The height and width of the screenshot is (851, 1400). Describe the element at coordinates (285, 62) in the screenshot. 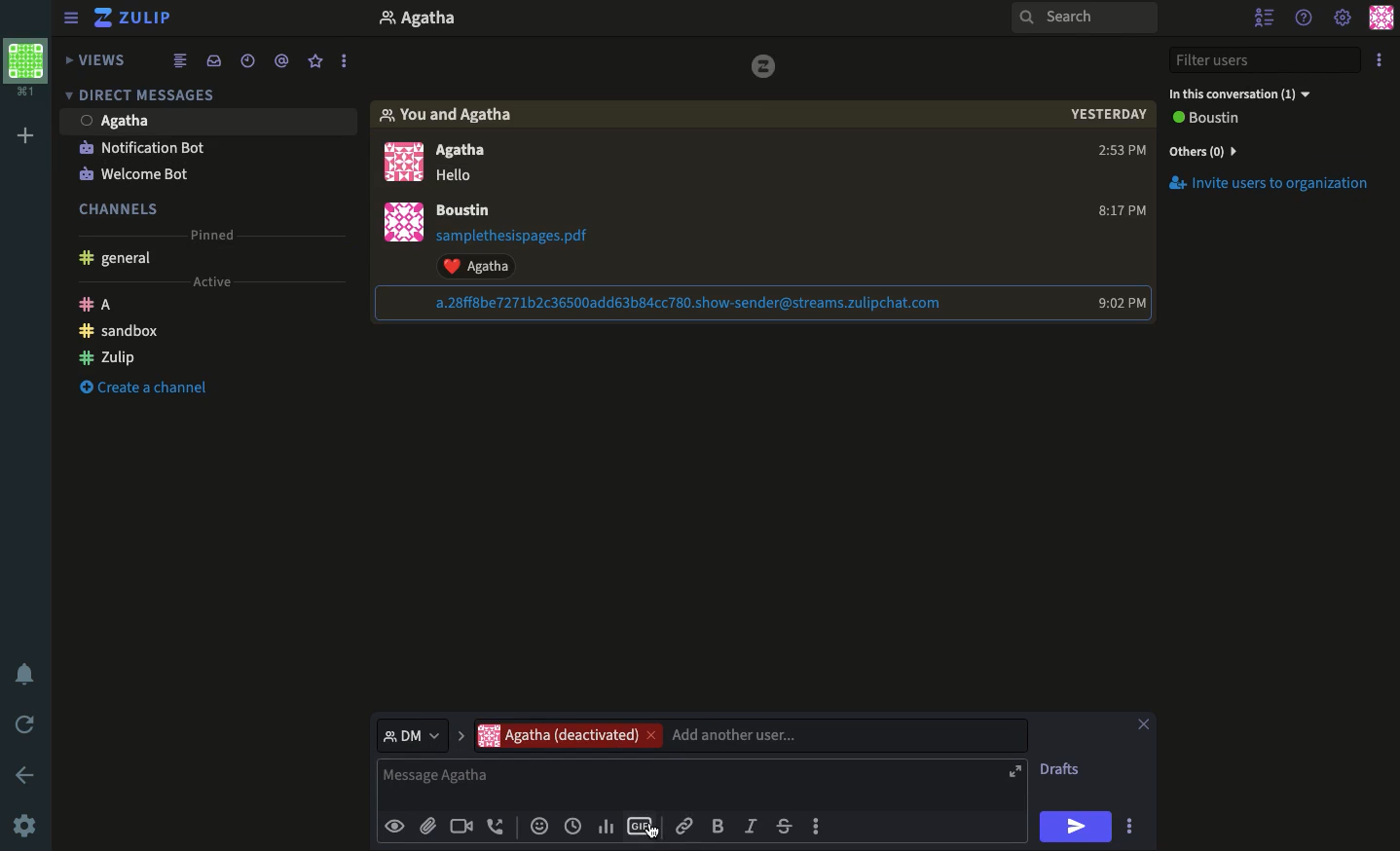

I see `thread` at that location.